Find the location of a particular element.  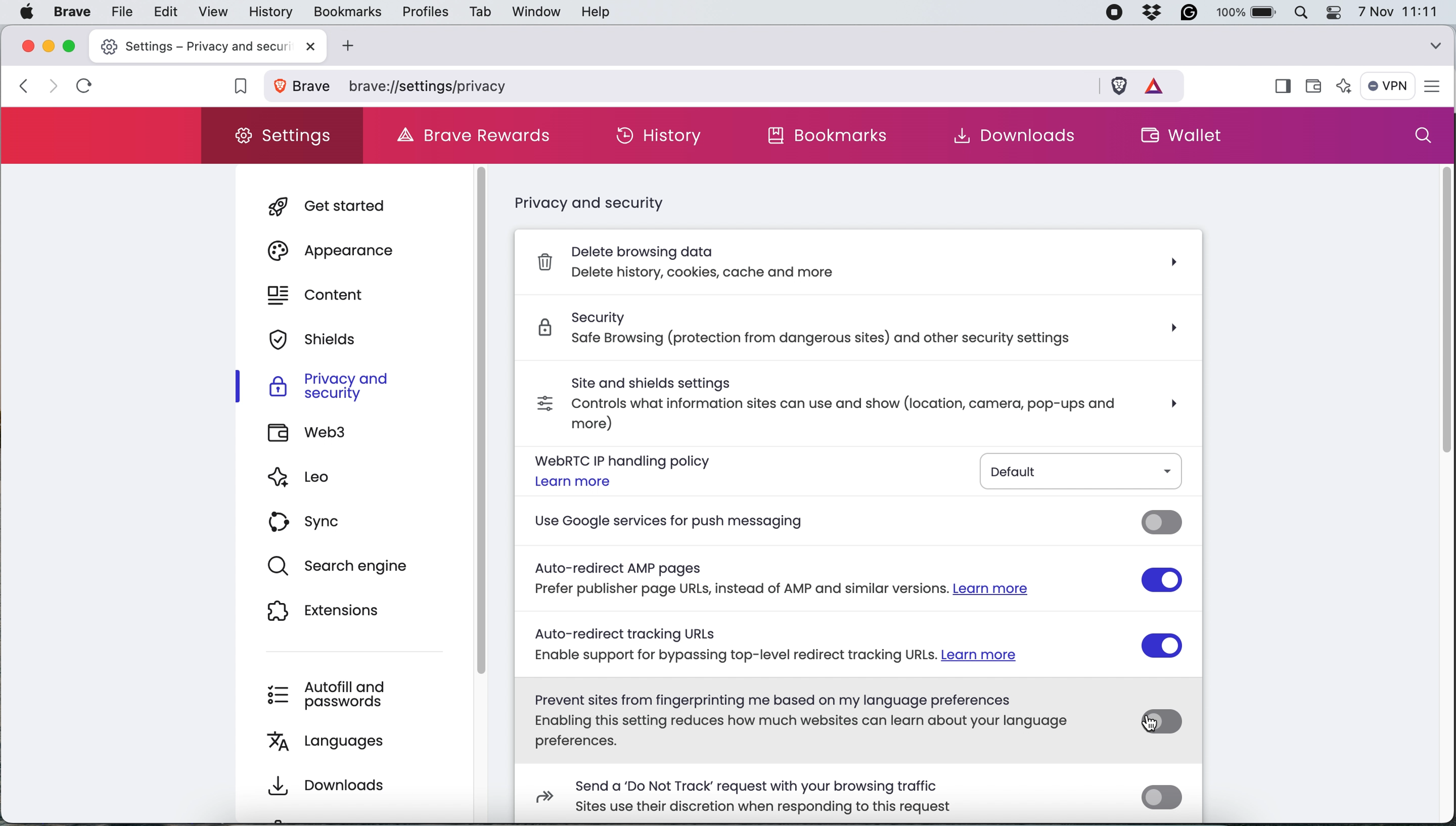

go forward is located at coordinates (49, 86).